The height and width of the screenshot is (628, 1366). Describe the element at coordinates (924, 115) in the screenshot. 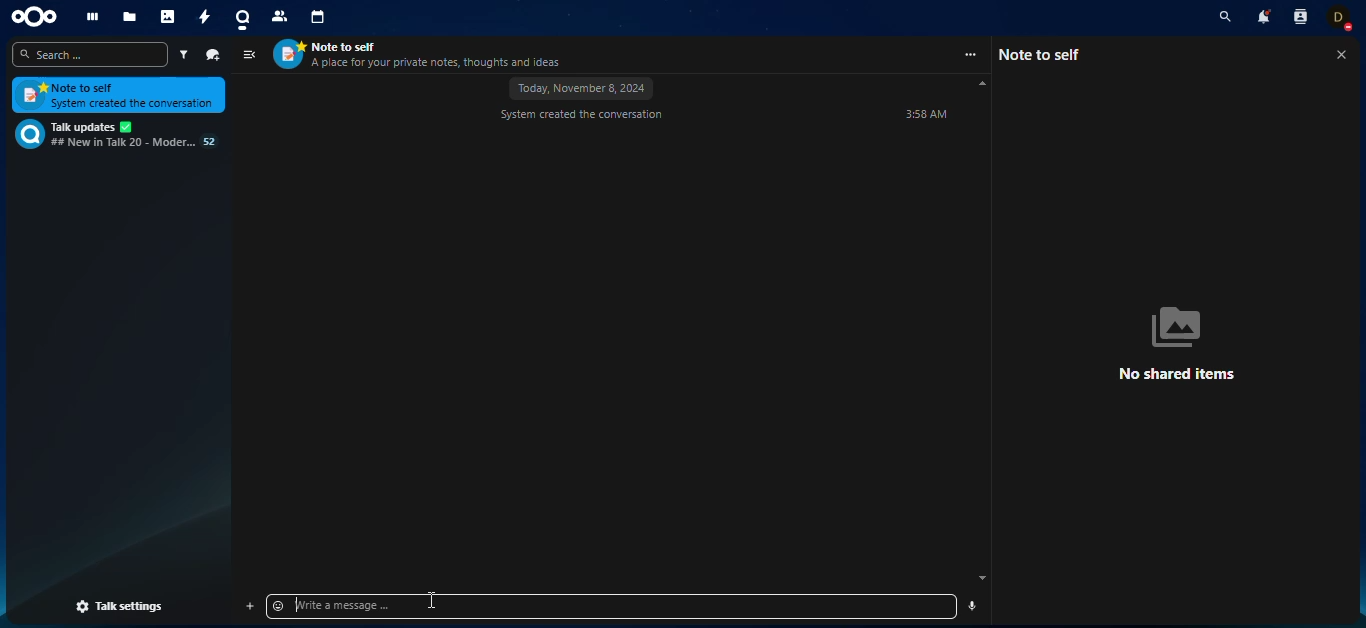

I see `time` at that location.